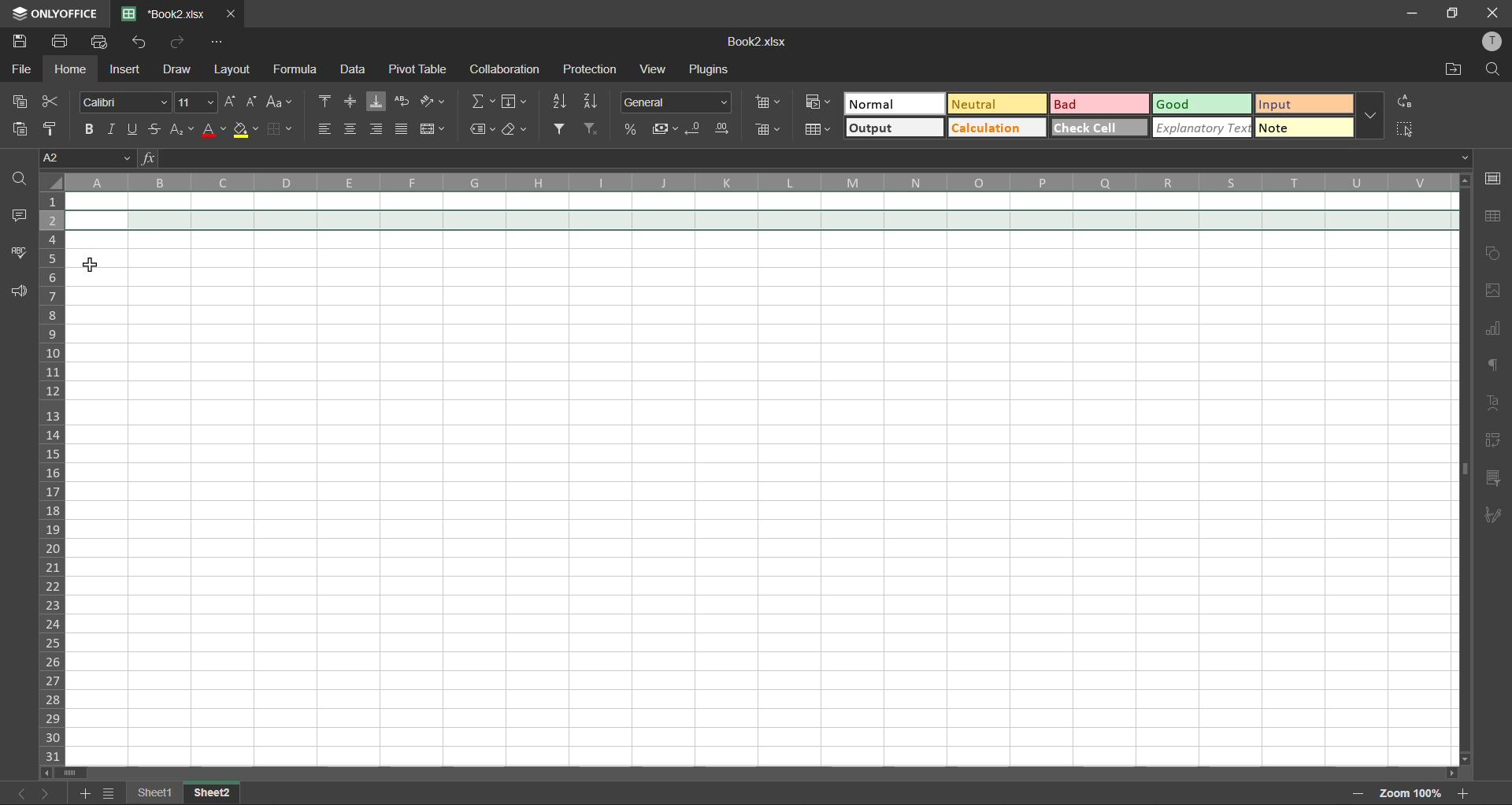 This screenshot has width=1512, height=805. I want to click on select all, so click(1405, 128).